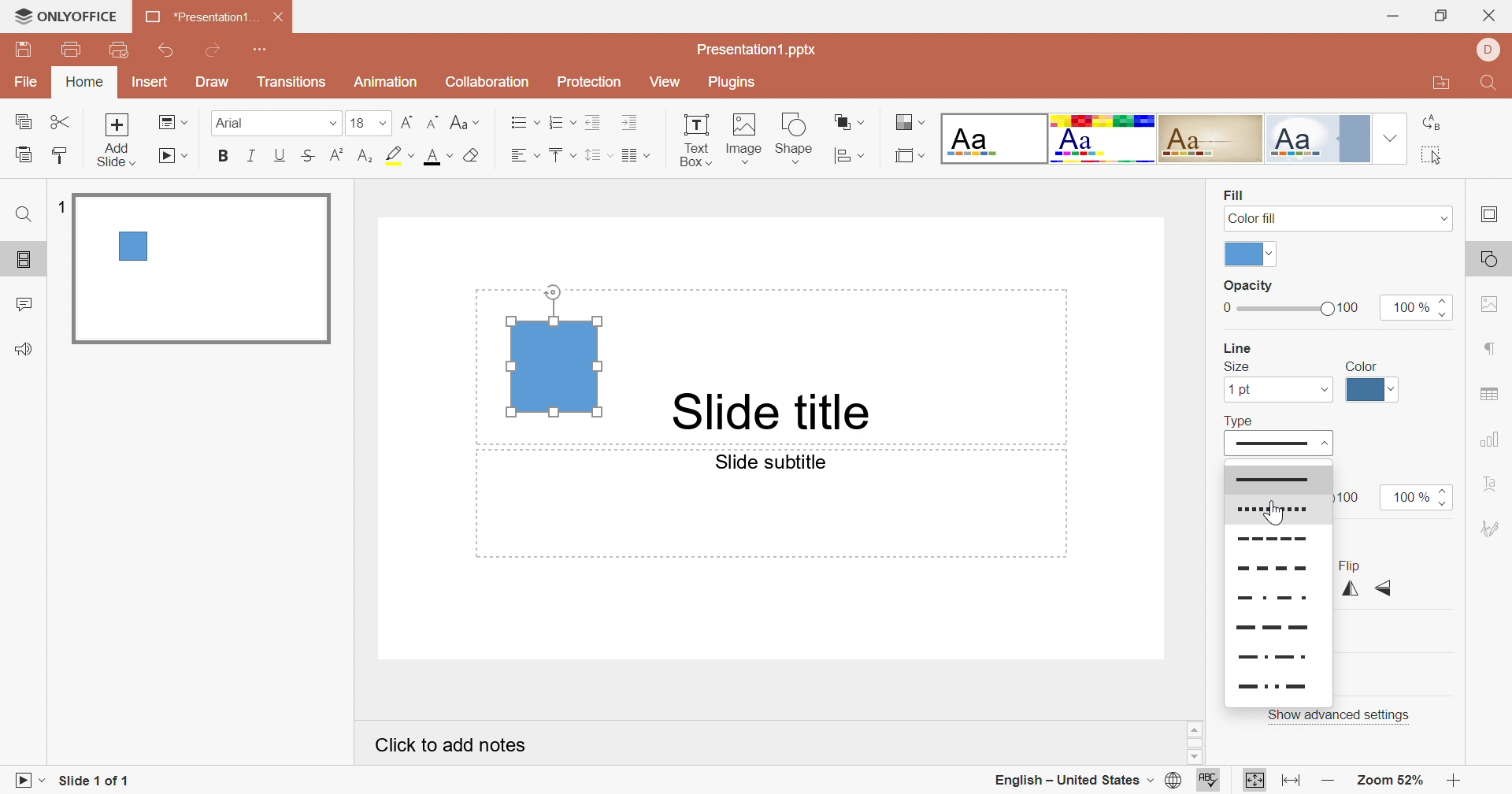 The height and width of the screenshot is (794, 1512). Describe the element at coordinates (1495, 484) in the screenshot. I see `Text Art settings` at that location.